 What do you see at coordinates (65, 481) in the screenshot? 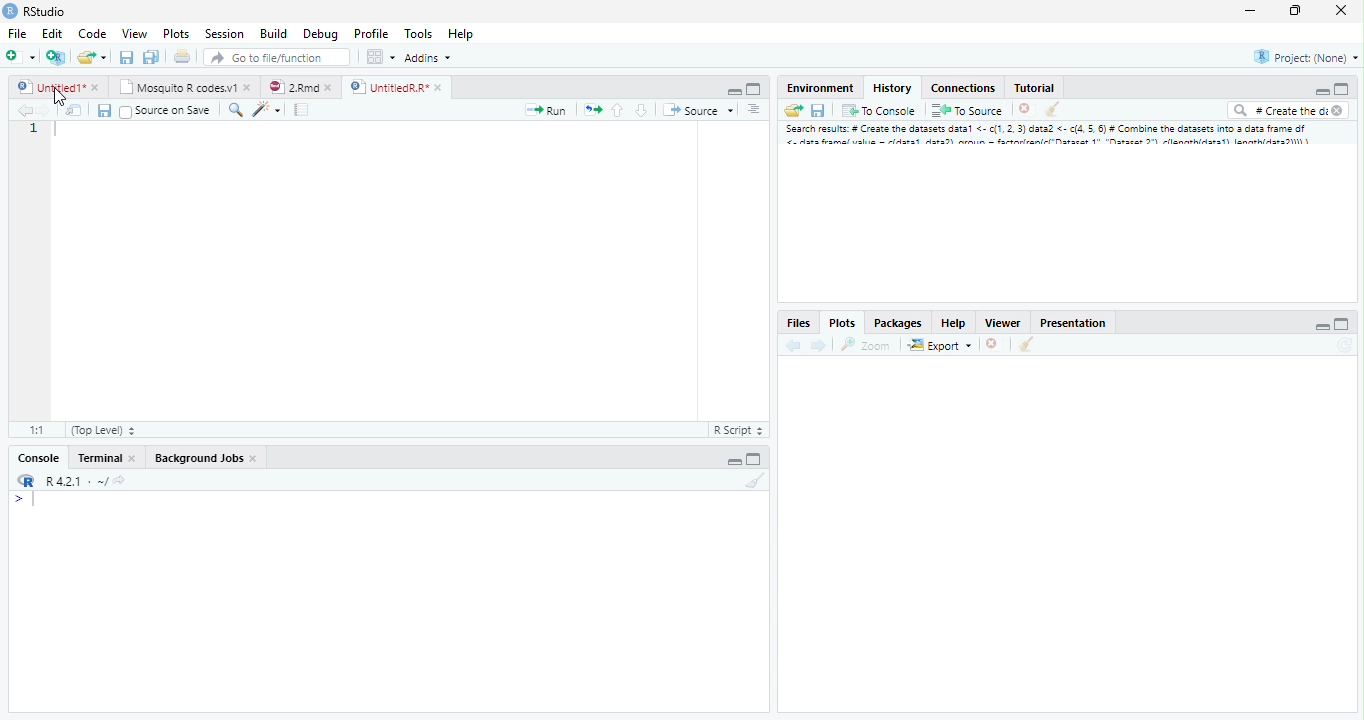
I see `R.4.2.1` at bounding box center [65, 481].